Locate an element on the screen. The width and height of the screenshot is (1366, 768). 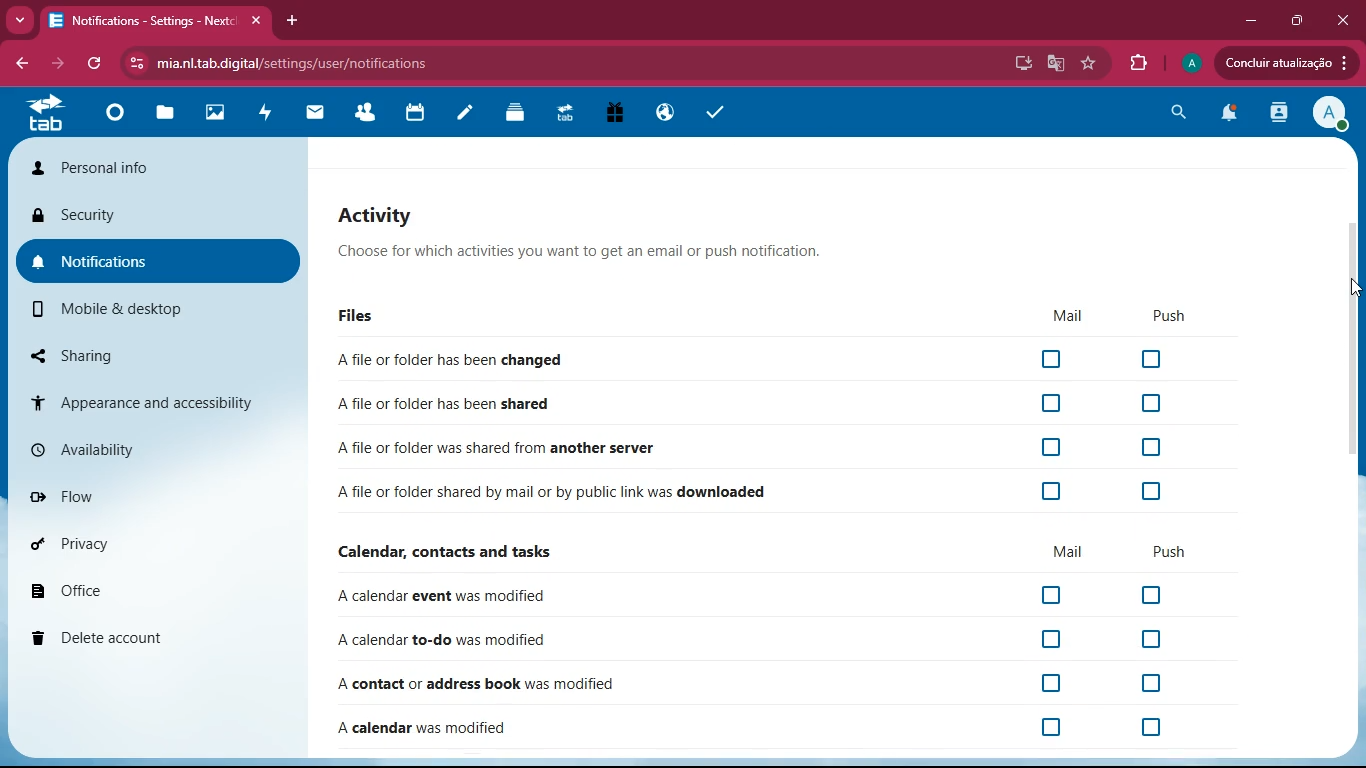
checkbox is located at coordinates (1052, 491).